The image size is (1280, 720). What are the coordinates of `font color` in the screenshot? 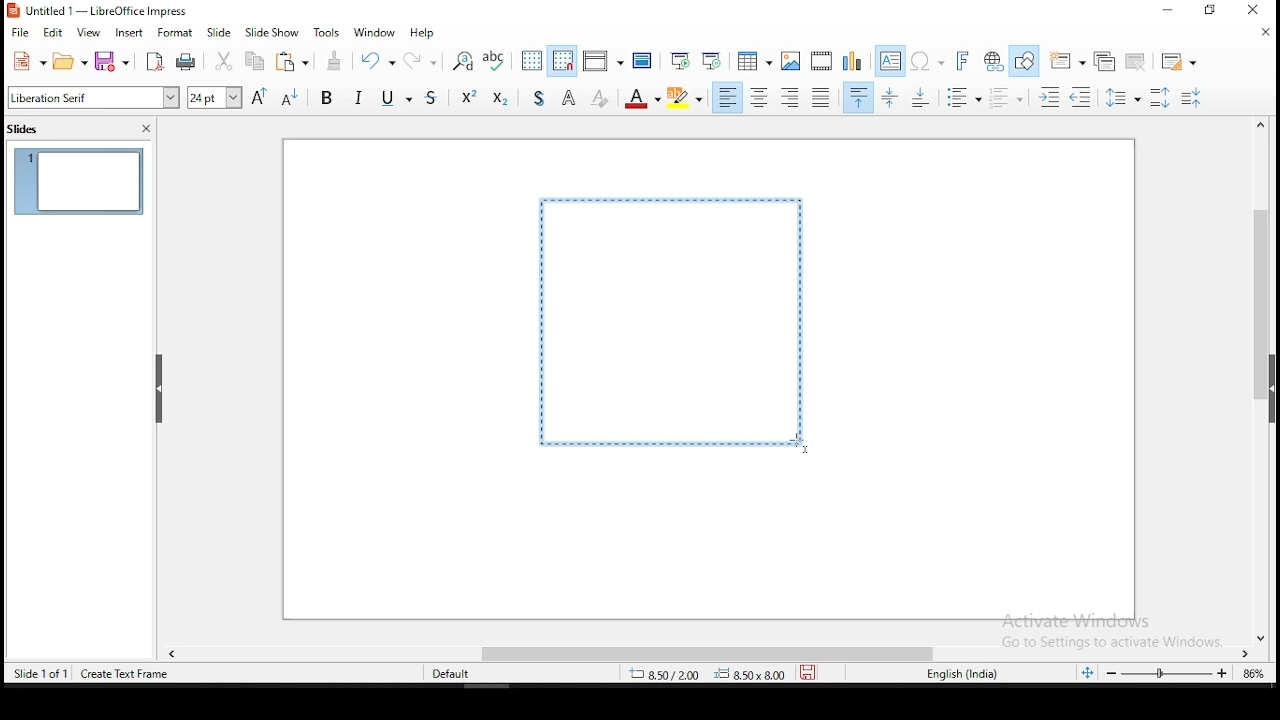 It's located at (643, 98).